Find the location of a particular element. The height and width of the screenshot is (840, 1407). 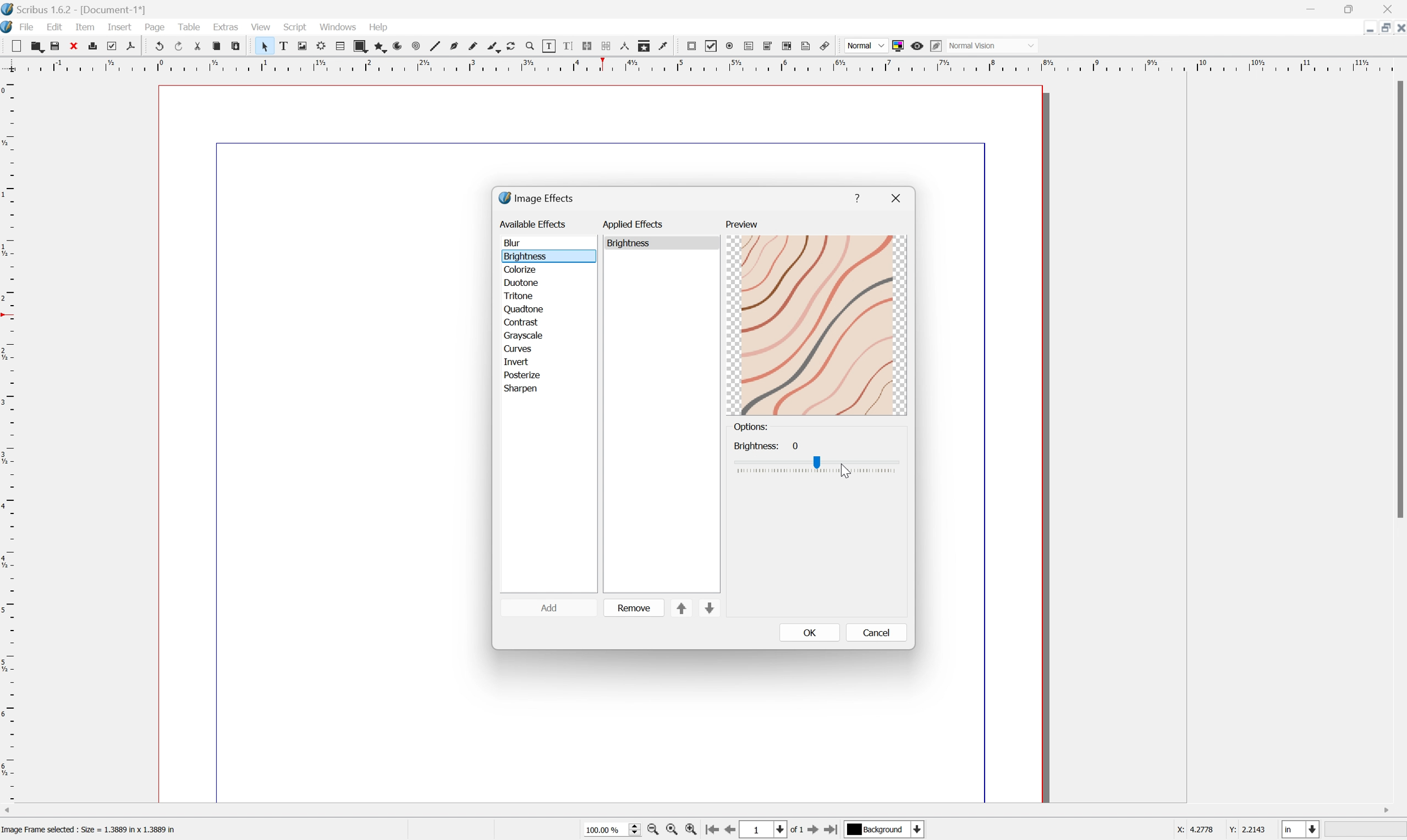

File is located at coordinates (28, 27).